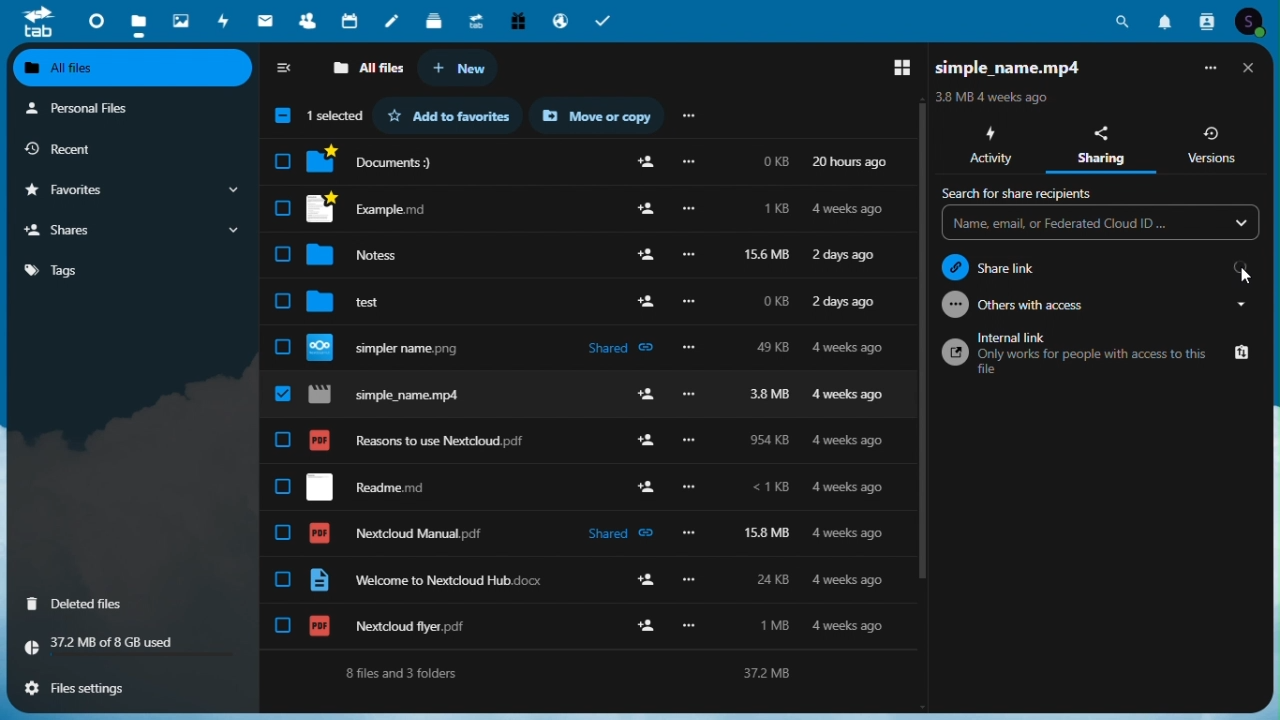  What do you see at coordinates (1100, 225) in the screenshot?
I see `Drop down` at bounding box center [1100, 225].